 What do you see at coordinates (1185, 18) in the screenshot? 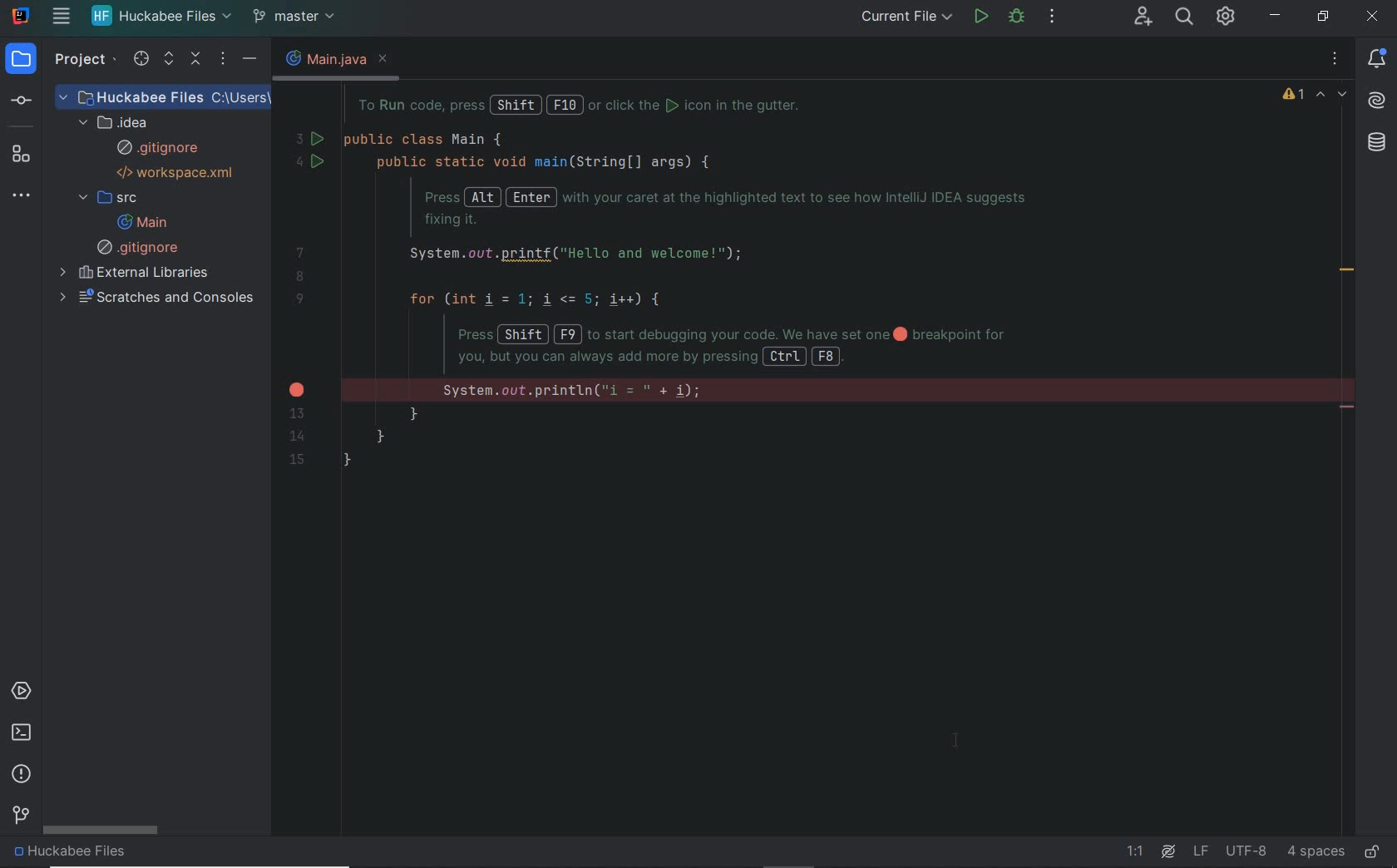
I see `search everywhere` at bounding box center [1185, 18].